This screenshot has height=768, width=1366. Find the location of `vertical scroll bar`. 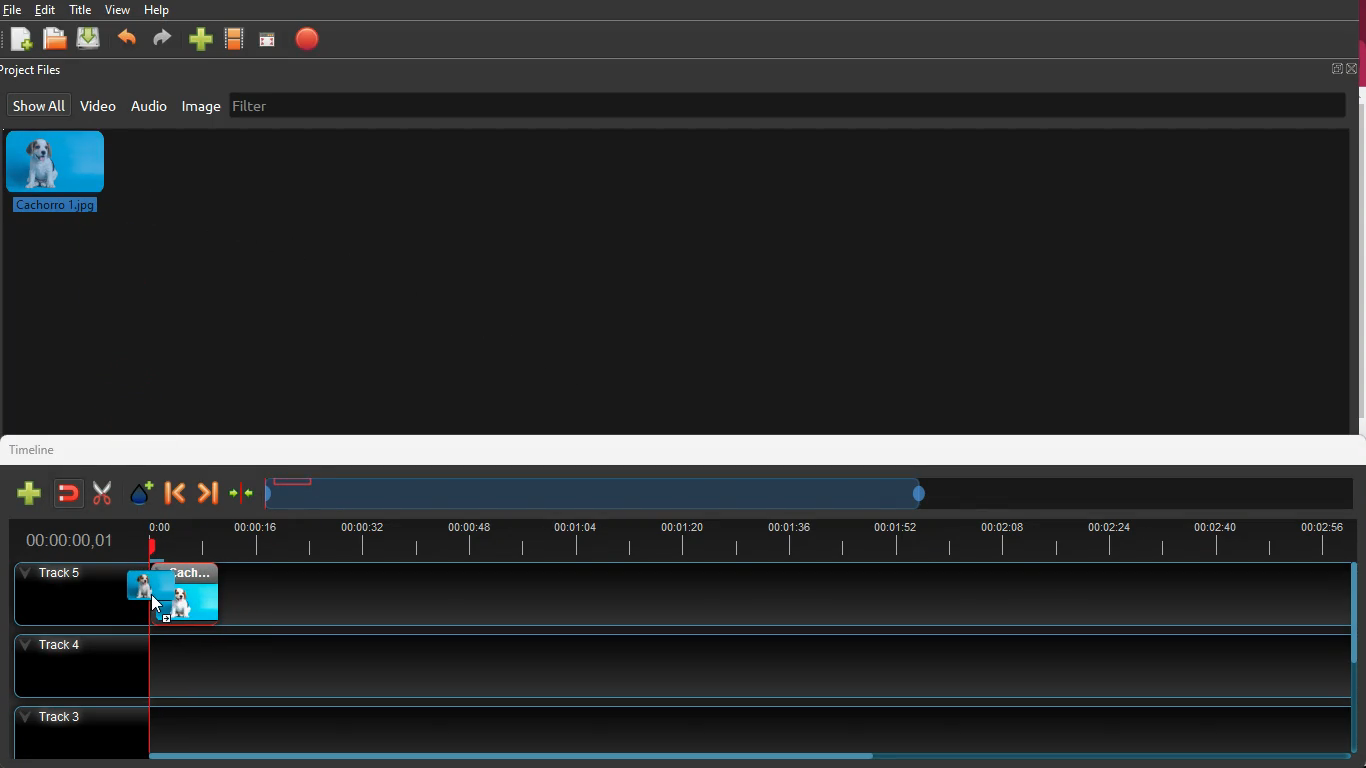

vertical scroll bar is located at coordinates (1357, 260).